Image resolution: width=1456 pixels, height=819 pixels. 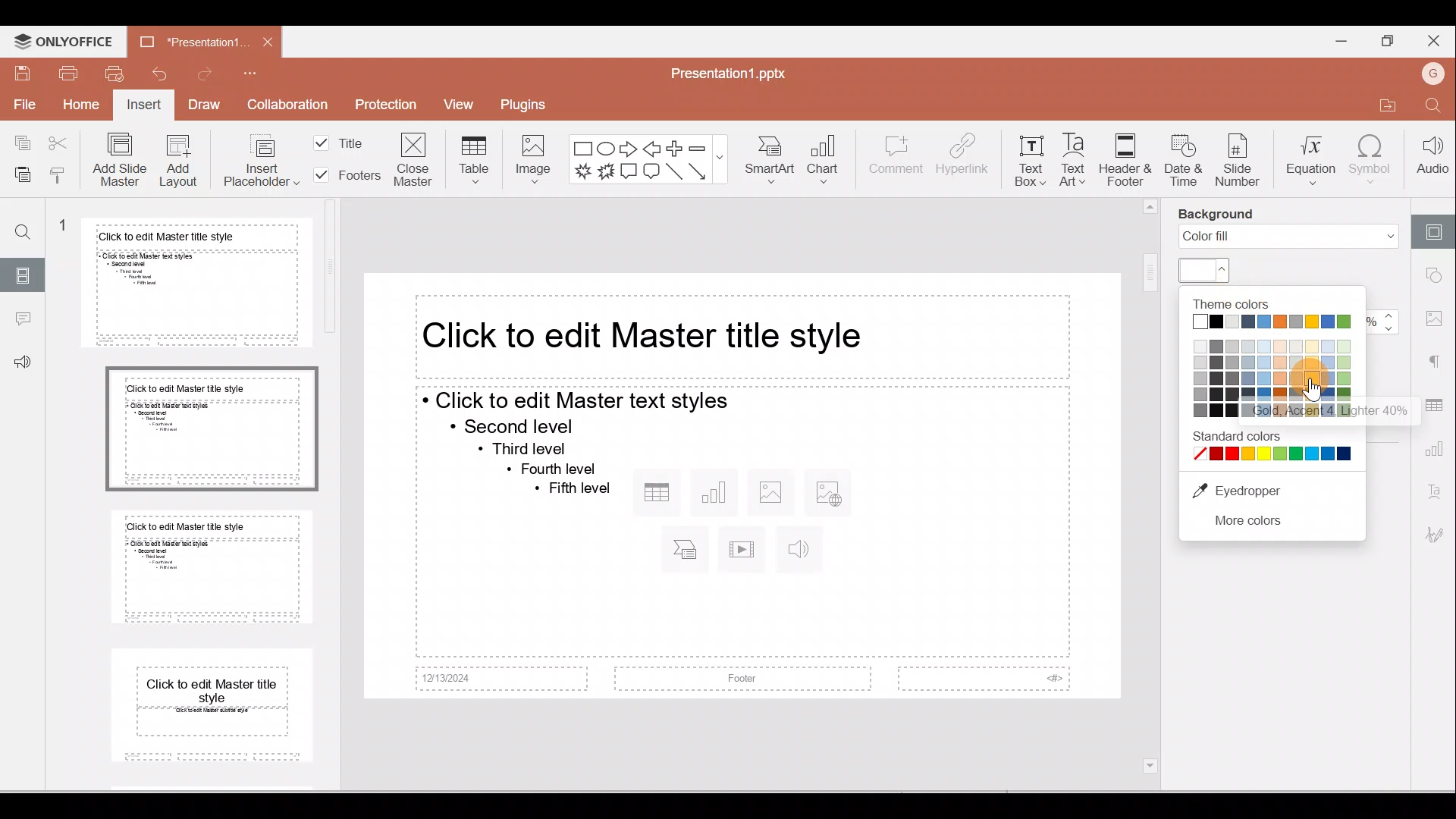 I want to click on More colours, so click(x=1250, y=522).